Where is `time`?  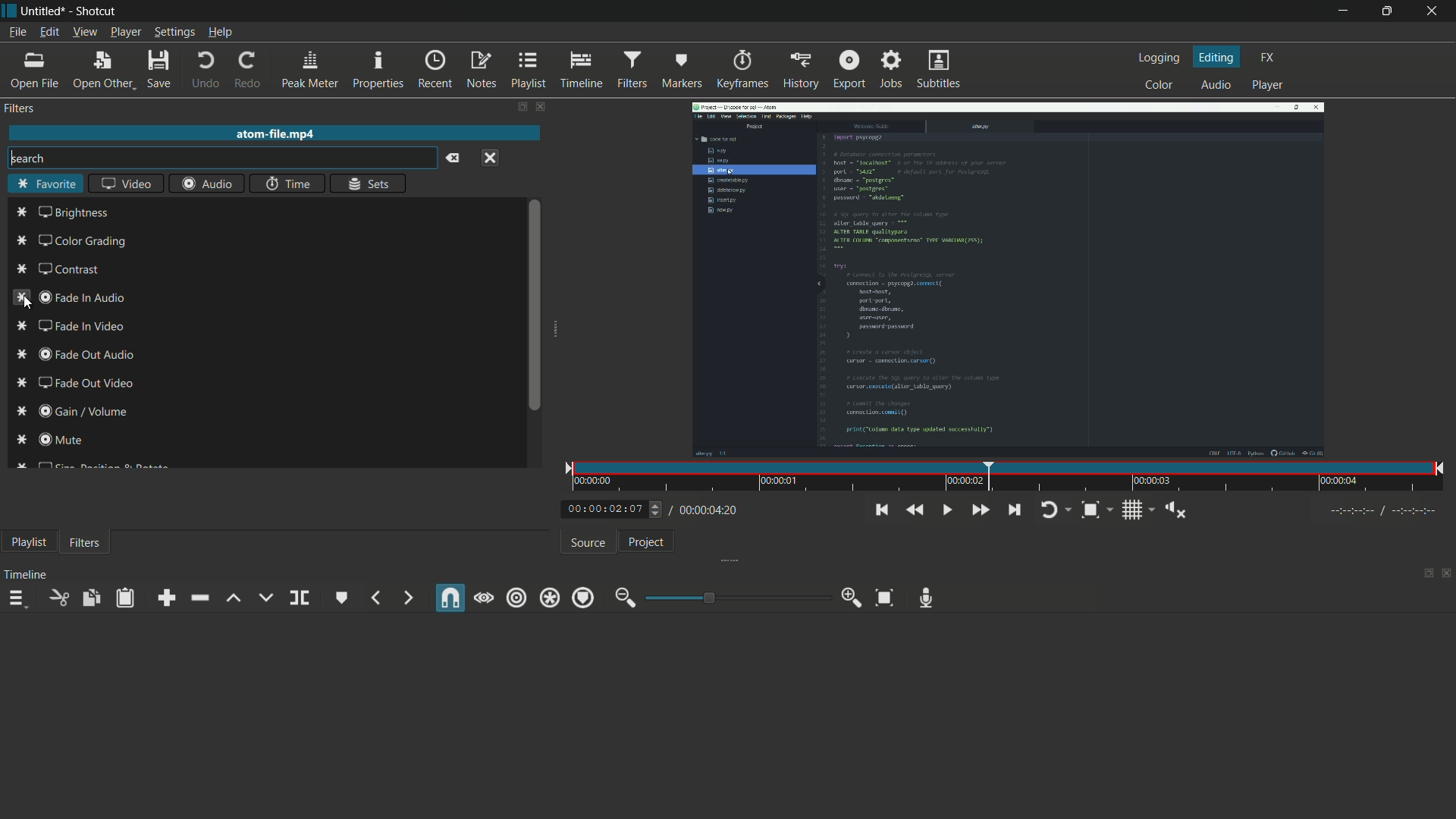
time is located at coordinates (1011, 477).